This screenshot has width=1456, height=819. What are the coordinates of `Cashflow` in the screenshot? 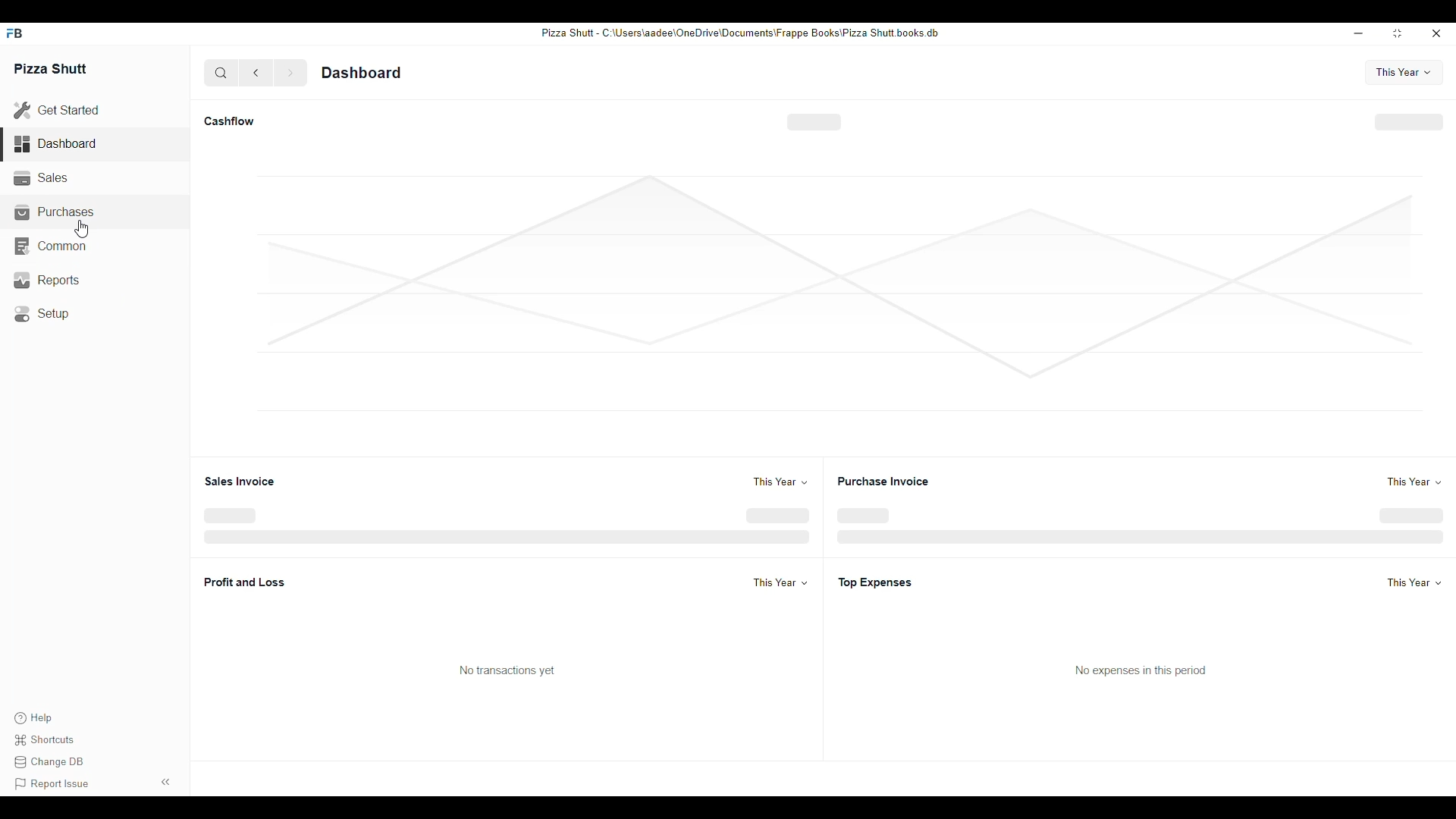 It's located at (231, 121).